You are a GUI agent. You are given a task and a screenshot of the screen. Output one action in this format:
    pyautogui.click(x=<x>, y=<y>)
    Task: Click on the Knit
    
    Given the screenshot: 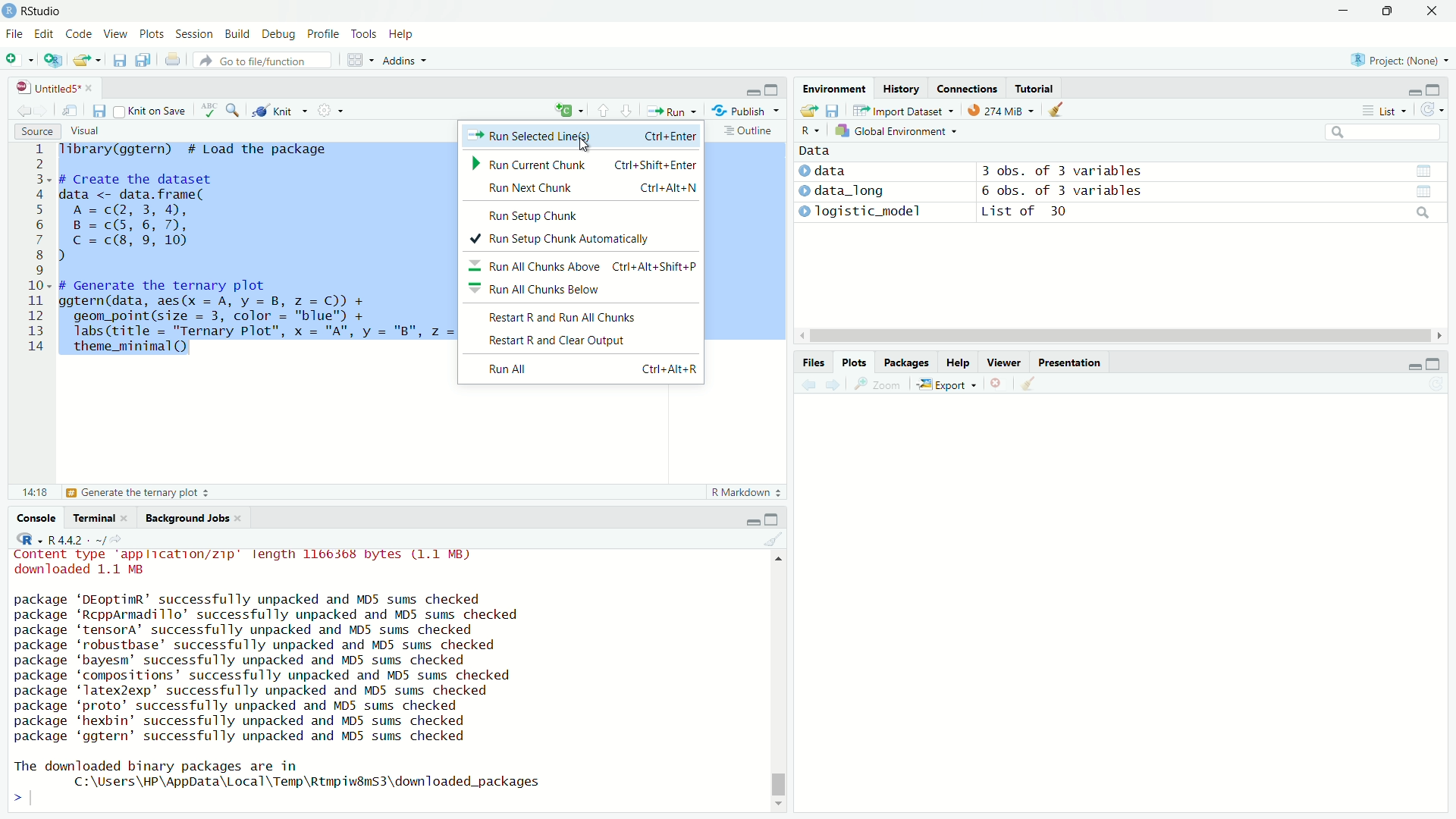 What is the action you would take?
    pyautogui.click(x=281, y=111)
    